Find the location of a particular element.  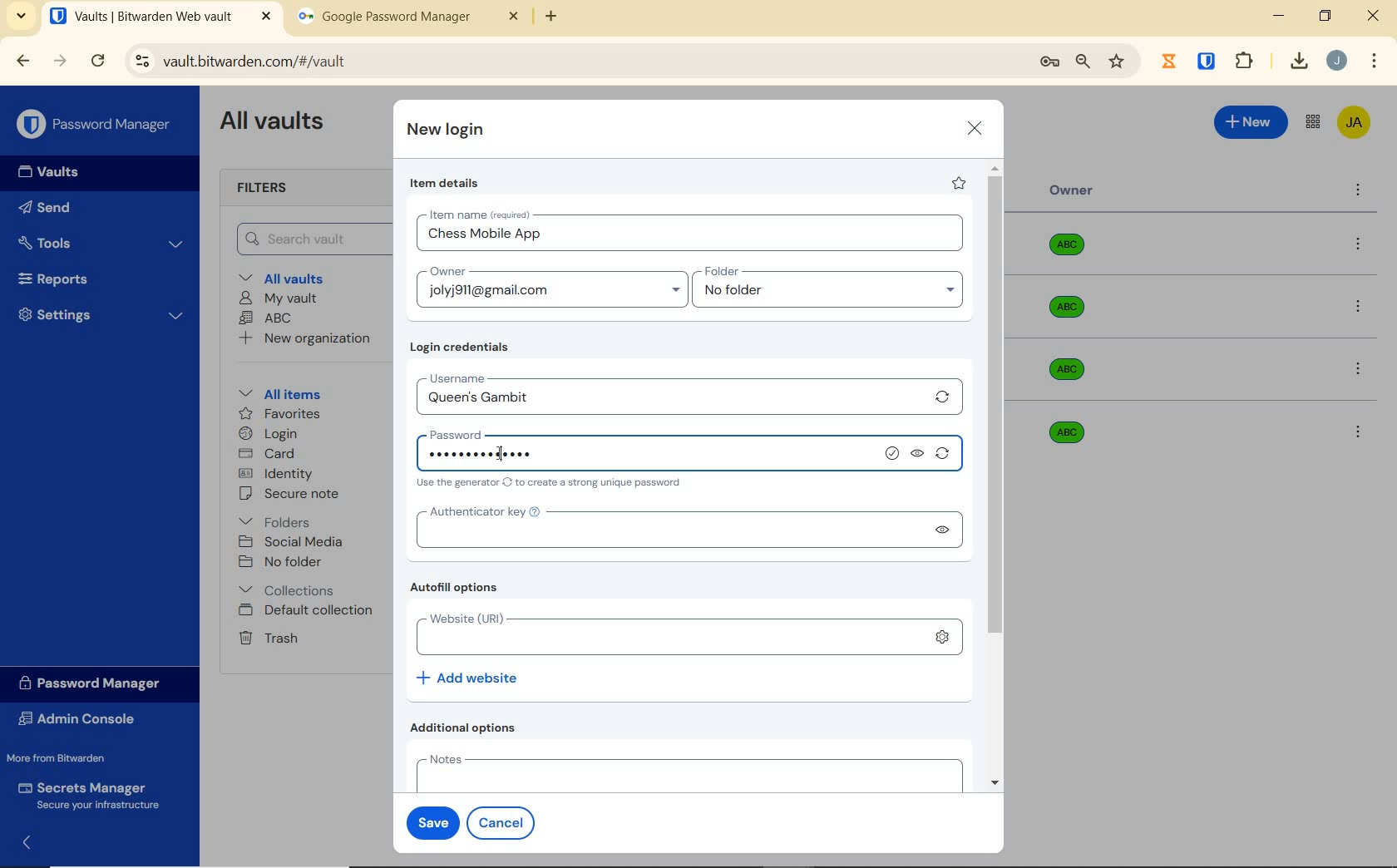

Owner organization is located at coordinates (1073, 369).